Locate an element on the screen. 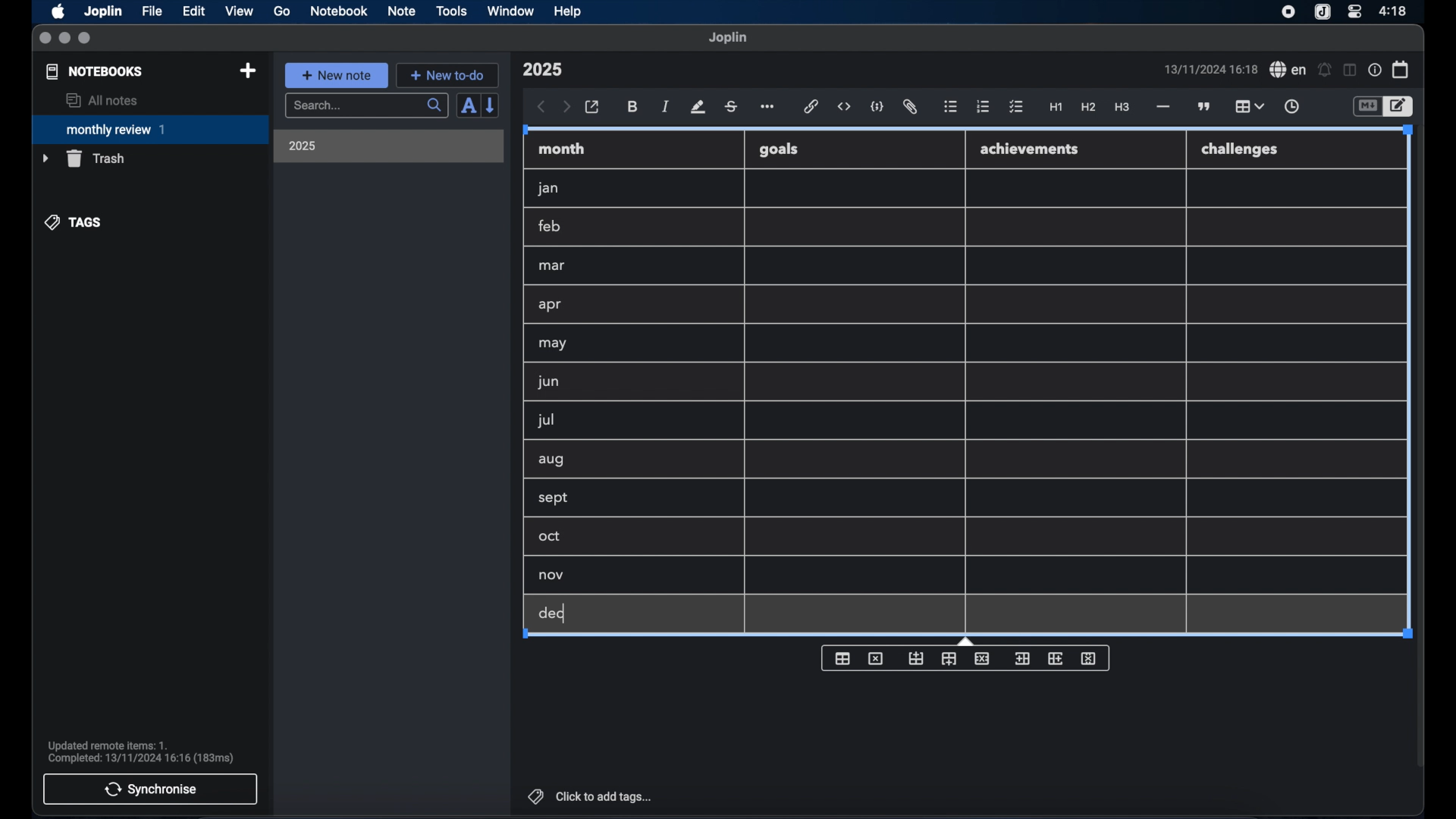  bulleted list is located at coordinates (950, 107).